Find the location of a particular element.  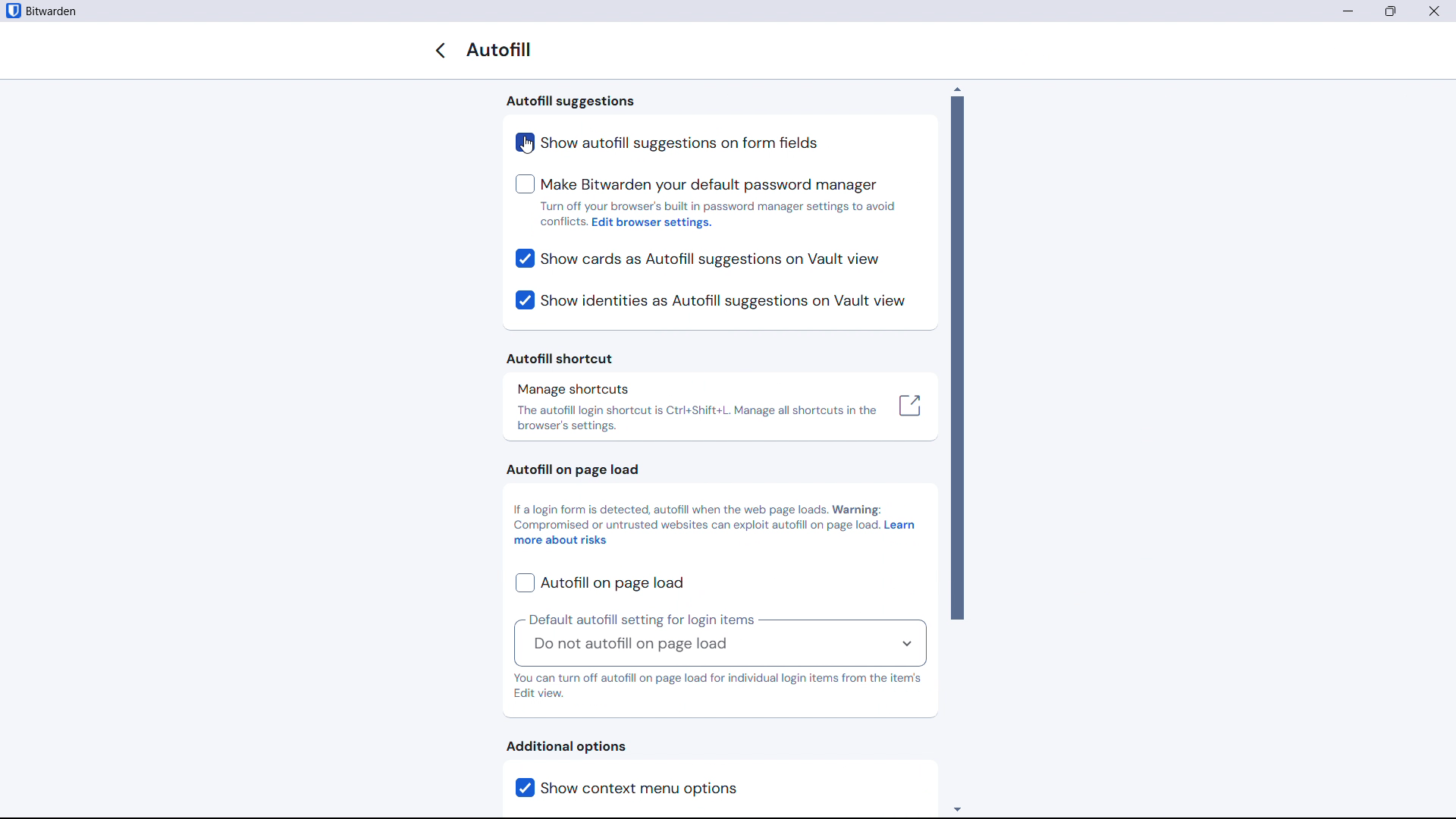

edit browser settings is located at coordinates (654, 224).